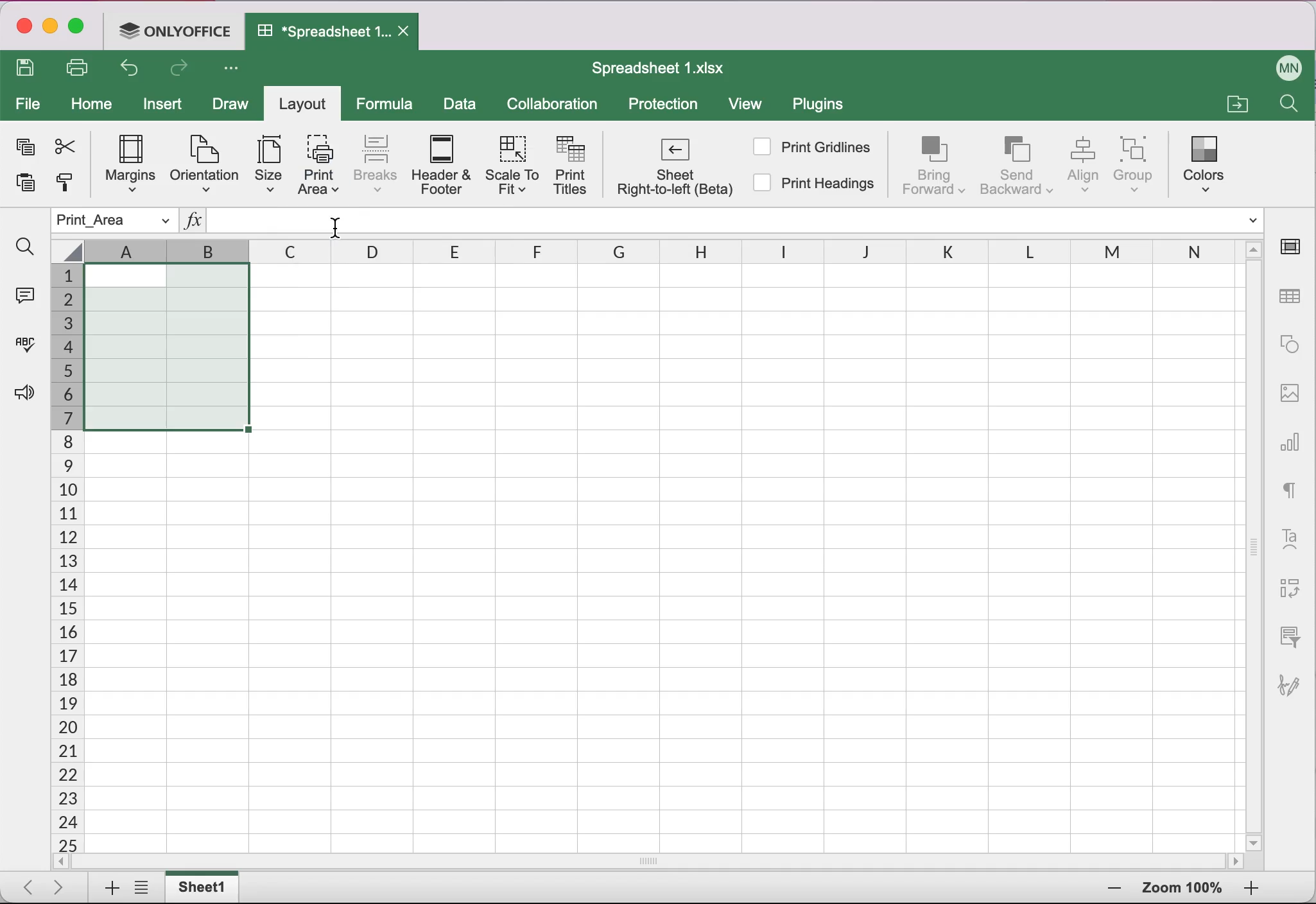 This screenshot has width=1316, height=904. I want to click on minimize, so click(50, 28).